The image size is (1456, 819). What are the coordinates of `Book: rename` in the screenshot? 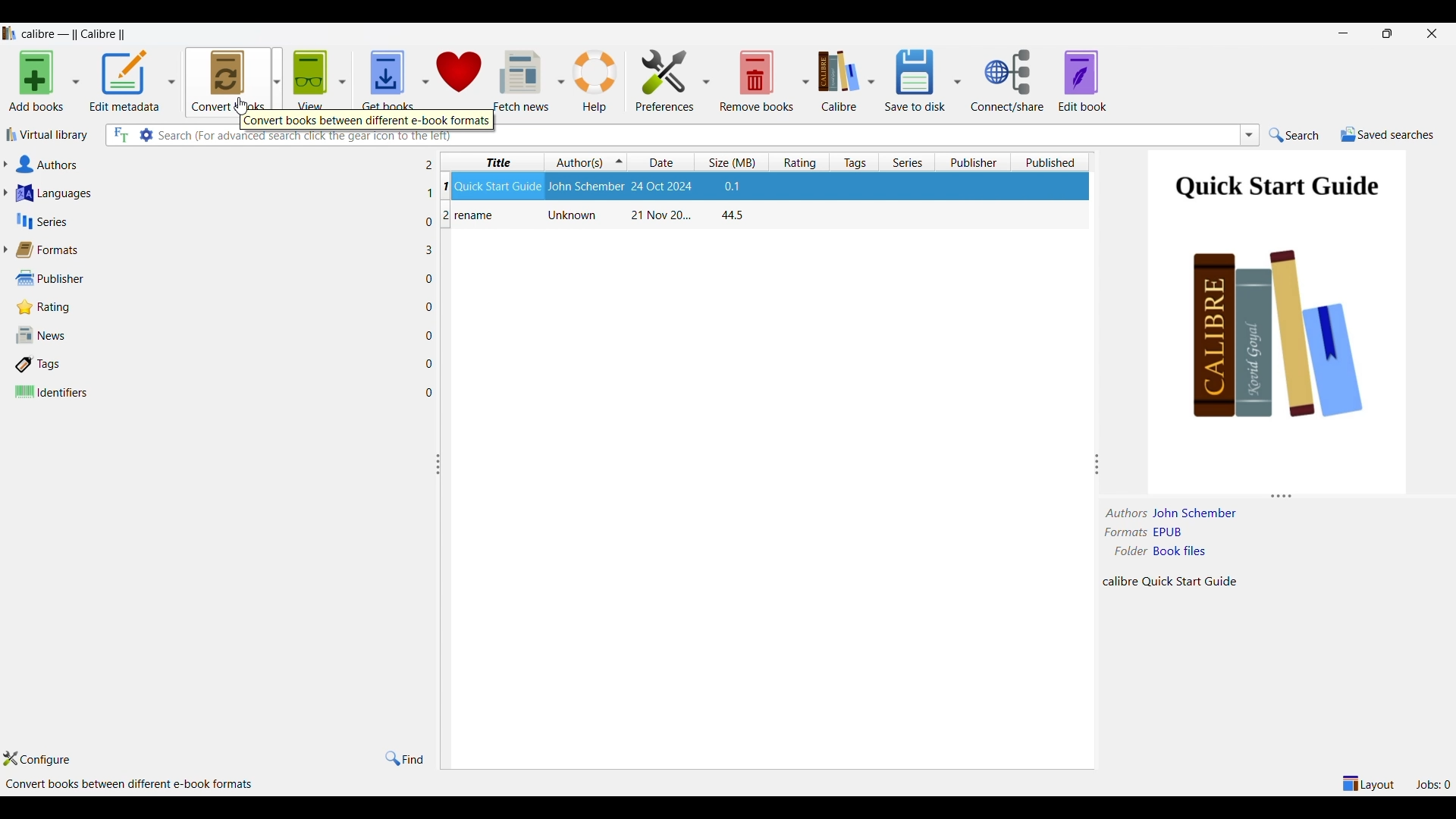 It's located at (598, 216).